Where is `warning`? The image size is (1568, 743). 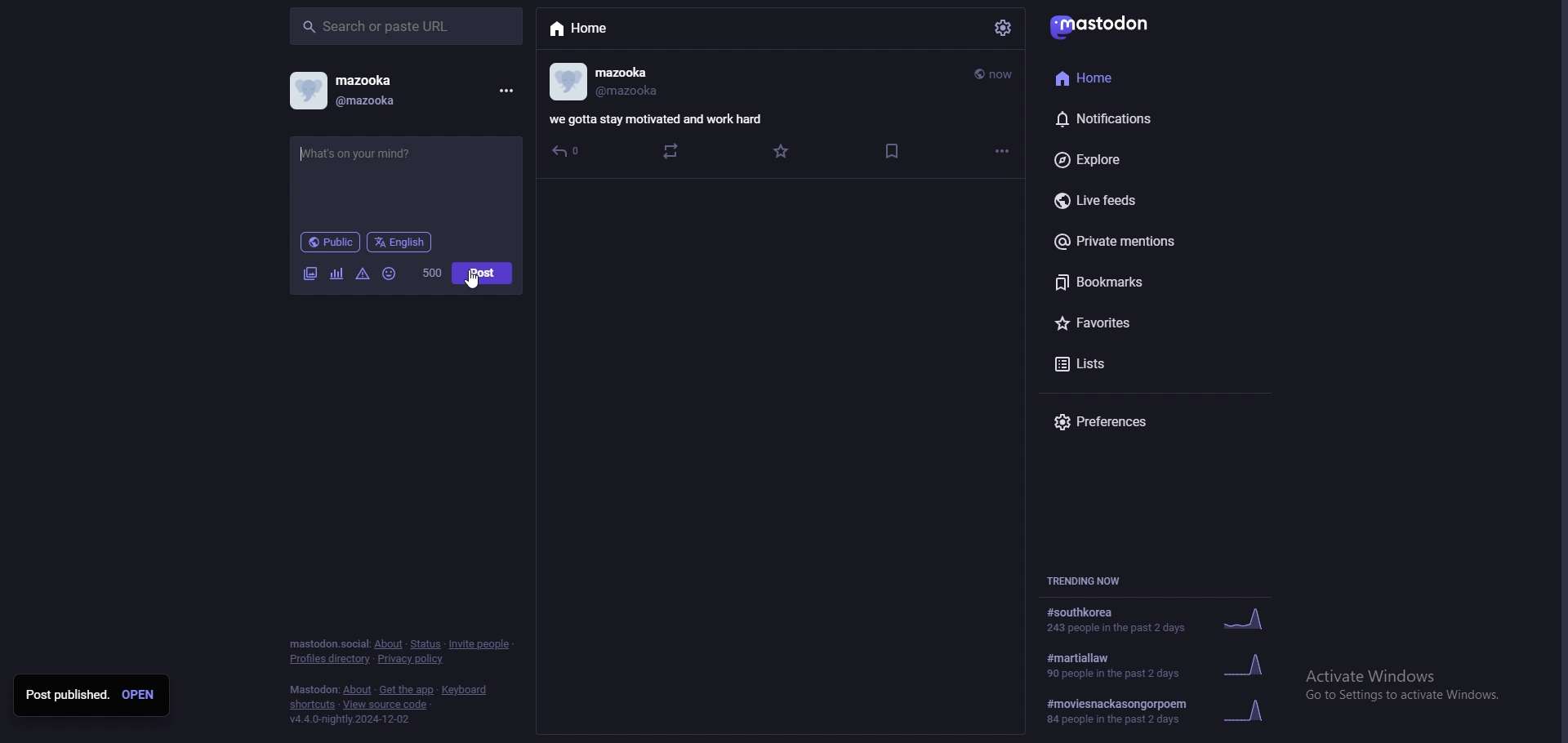
warning is located at coordinates (363, 274).